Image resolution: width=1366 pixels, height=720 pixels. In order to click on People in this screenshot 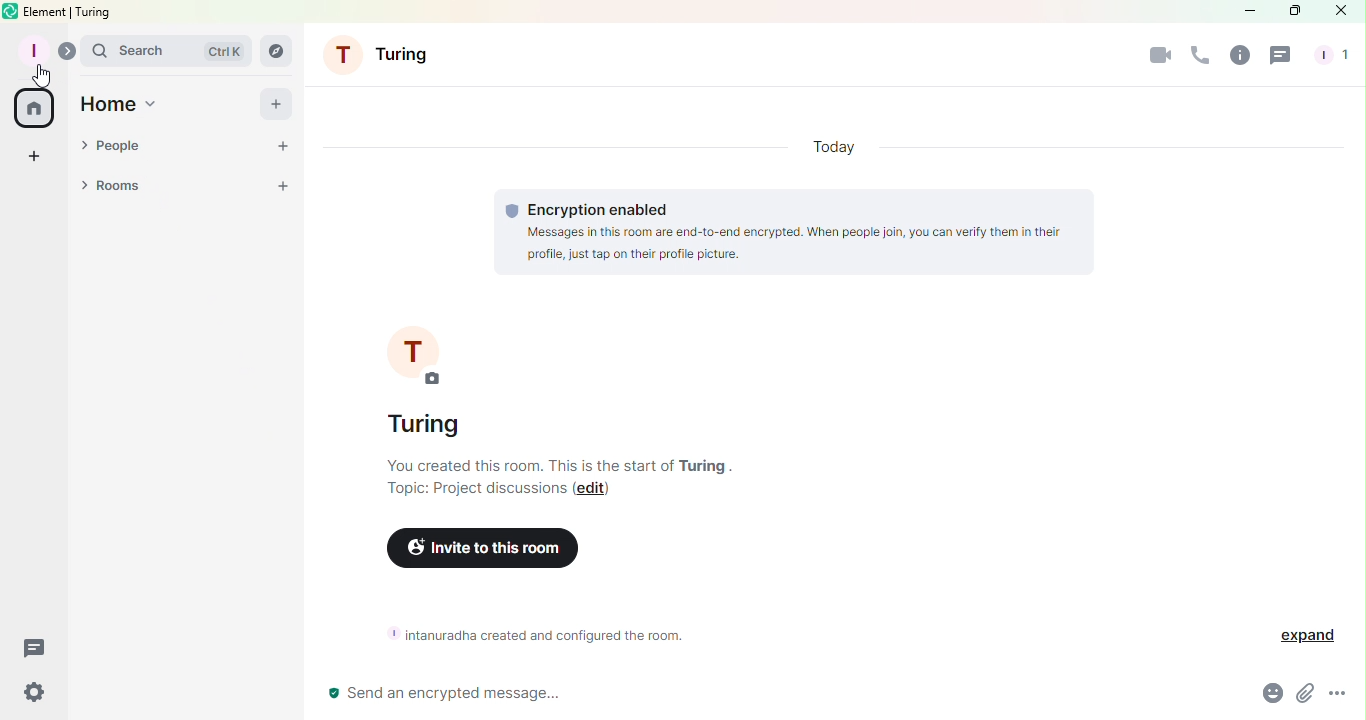, I will do `click(1330, 56)`.